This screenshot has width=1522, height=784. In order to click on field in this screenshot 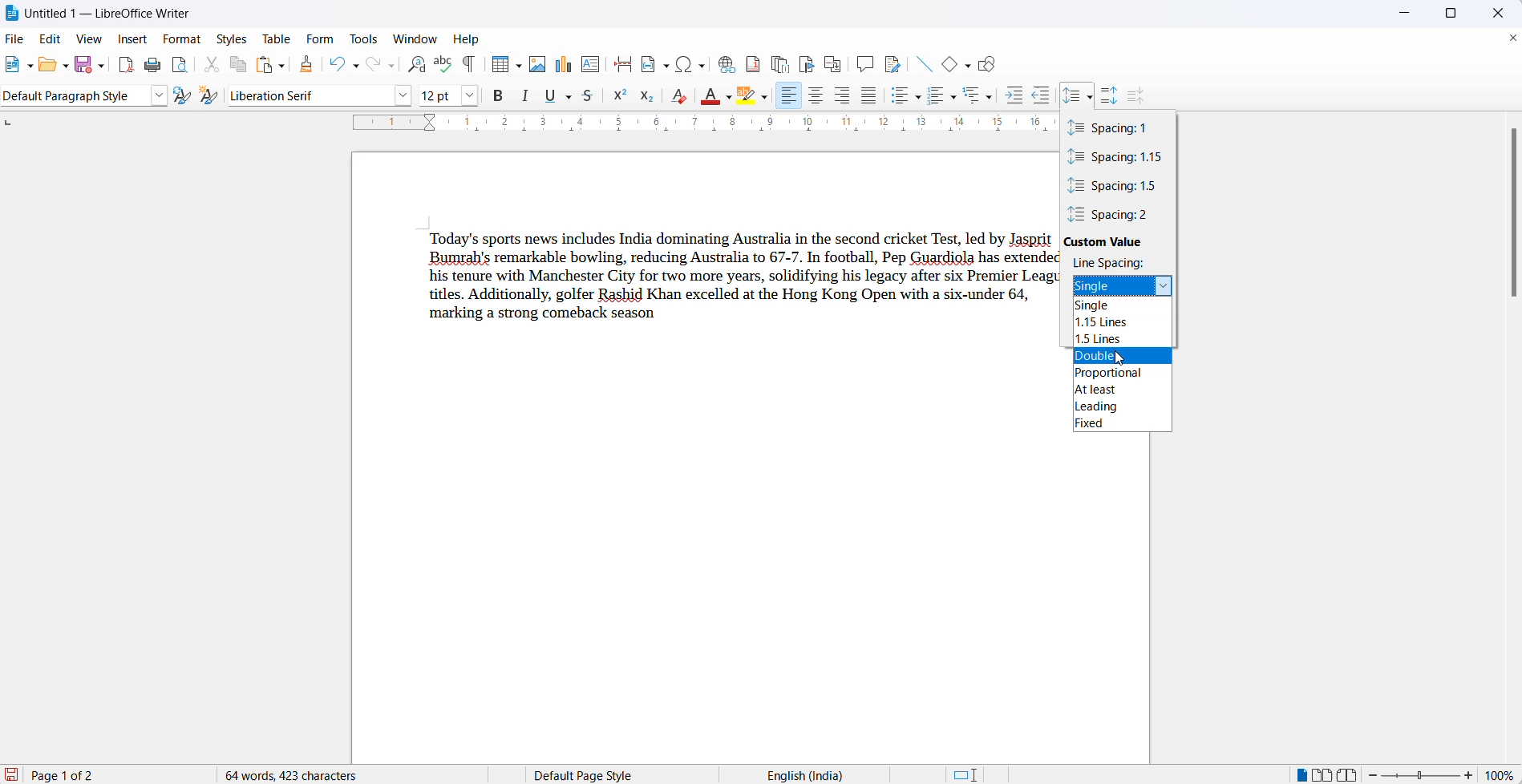, I will do `click(654, 65)`.